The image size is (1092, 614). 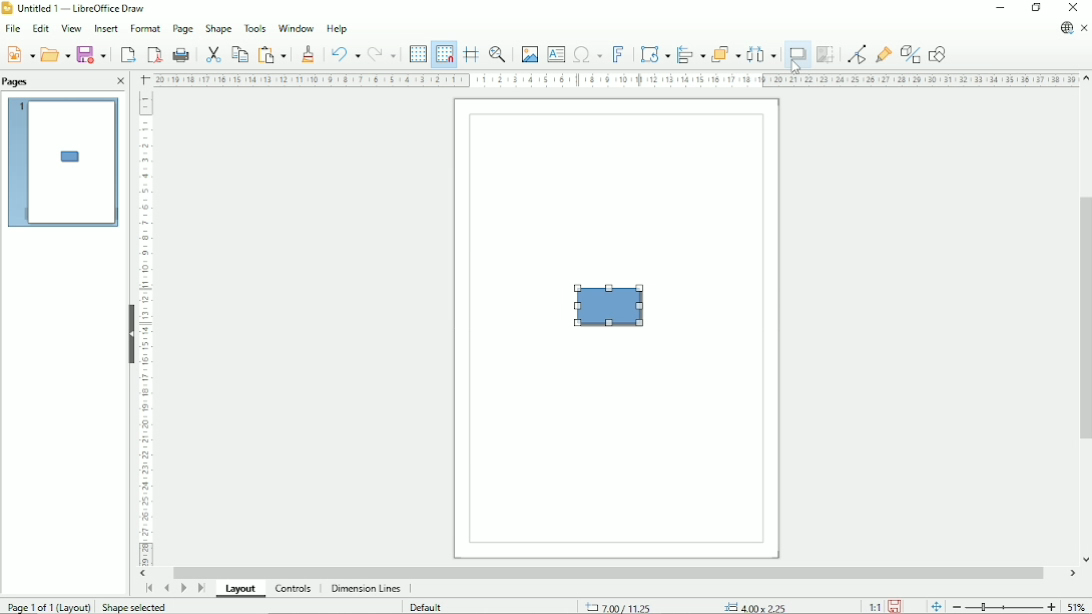 What do you see at coordinates (183, 27) in the screenshot?
I see `Page` at bounding box center [183, 27].